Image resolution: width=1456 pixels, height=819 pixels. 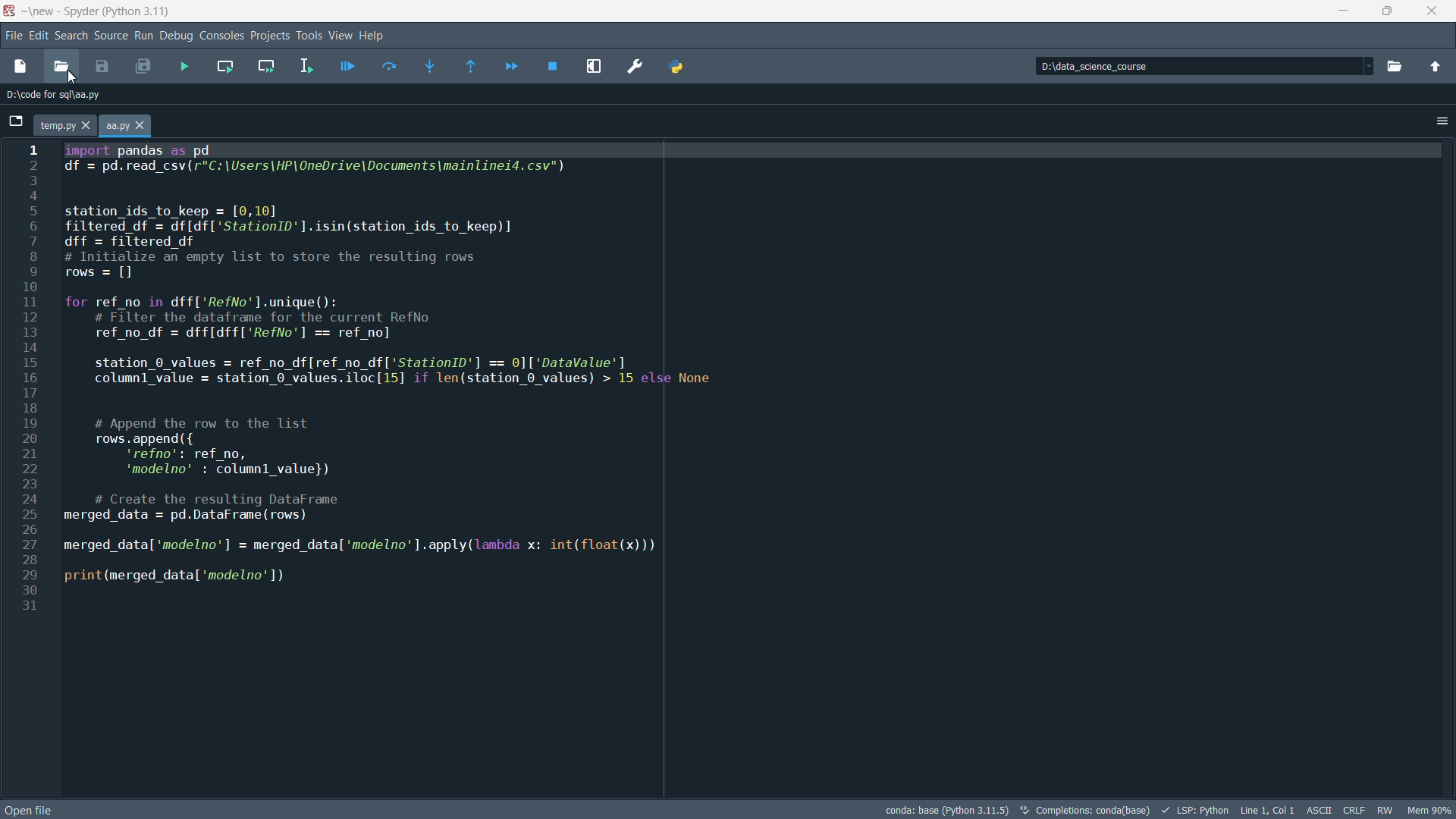 What do you see at coordinates (176, 36) in the screenshot?
I see `debug menu` at bounding box center [176, 36].